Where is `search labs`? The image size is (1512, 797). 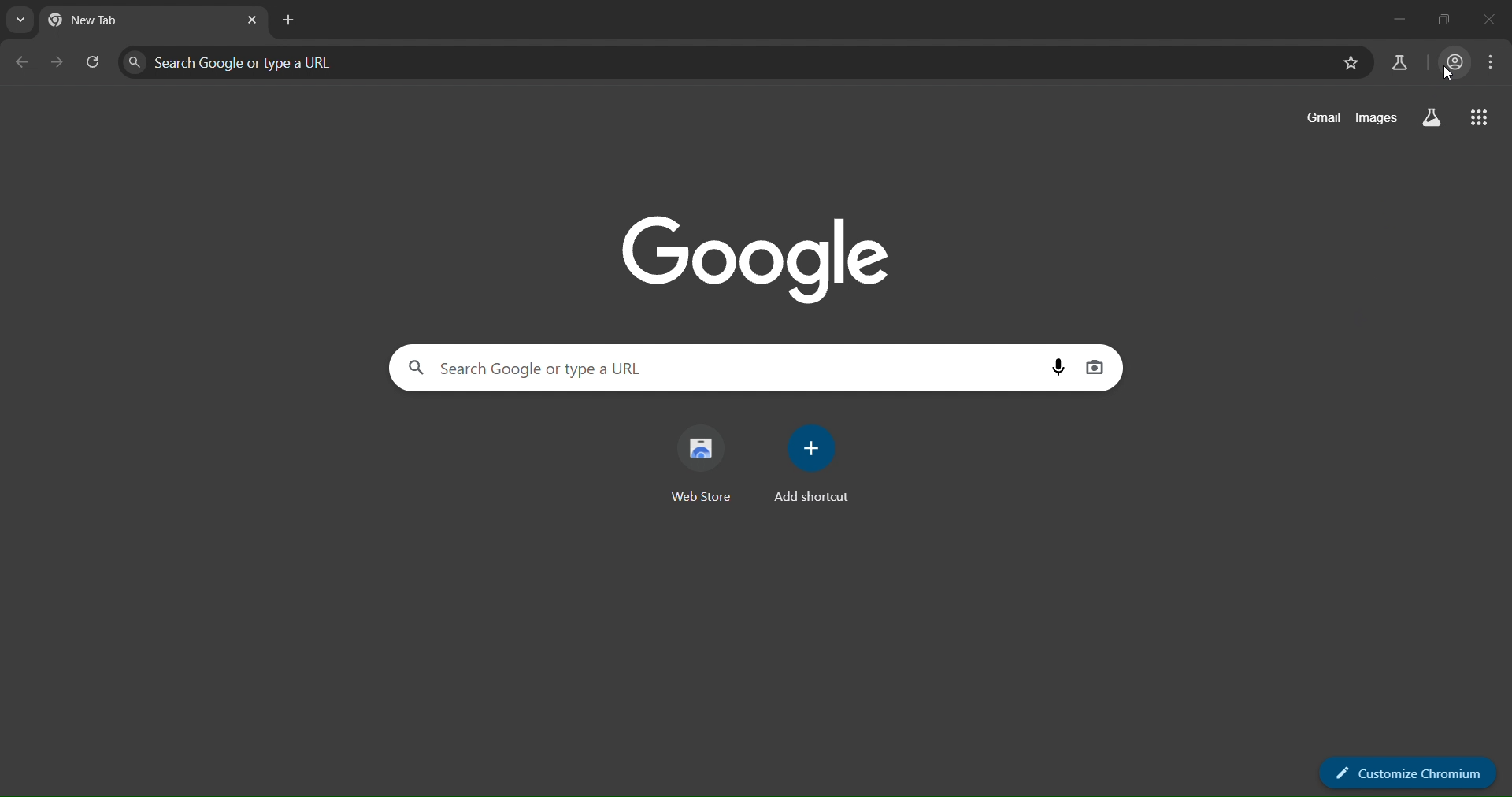
search labs is located at coordinates (1395, 61).